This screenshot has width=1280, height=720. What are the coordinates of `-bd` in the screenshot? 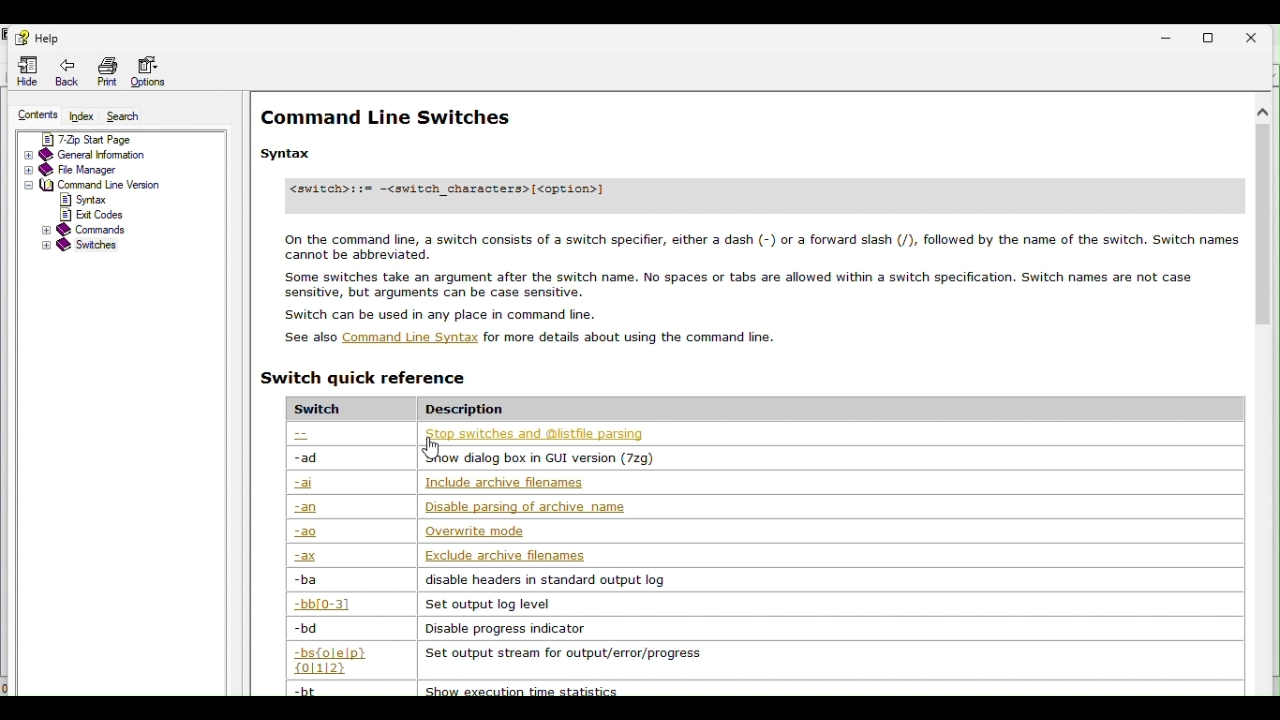 It's located at (309, 628).